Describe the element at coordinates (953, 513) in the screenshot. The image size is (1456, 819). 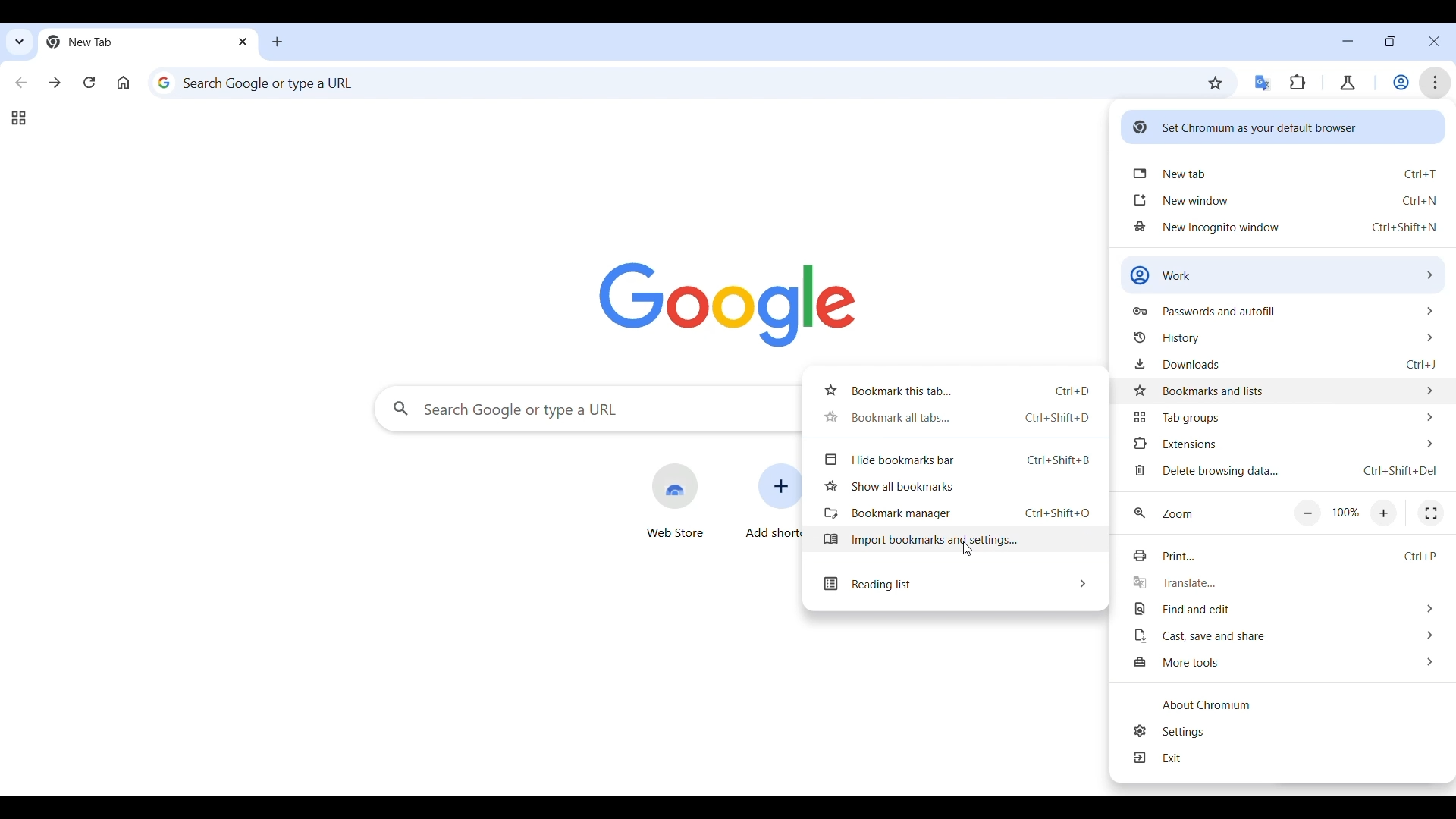
I see `Bookmark manager` at that location.